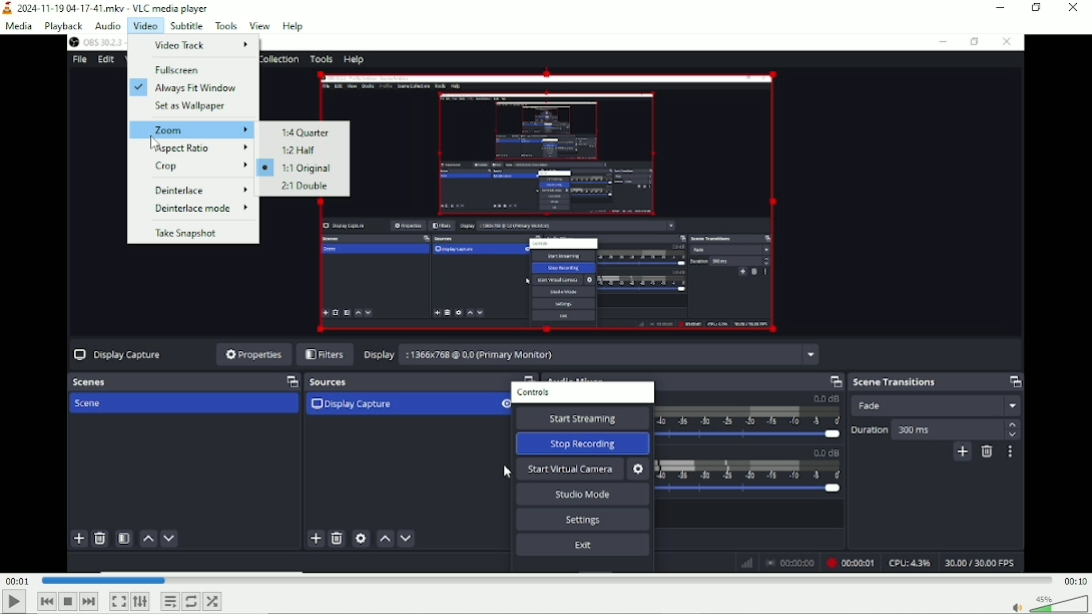  What do you see at coordinates (1038, 8) in the screenshot?
I see `restore down` at bounding box center [1038, 8].